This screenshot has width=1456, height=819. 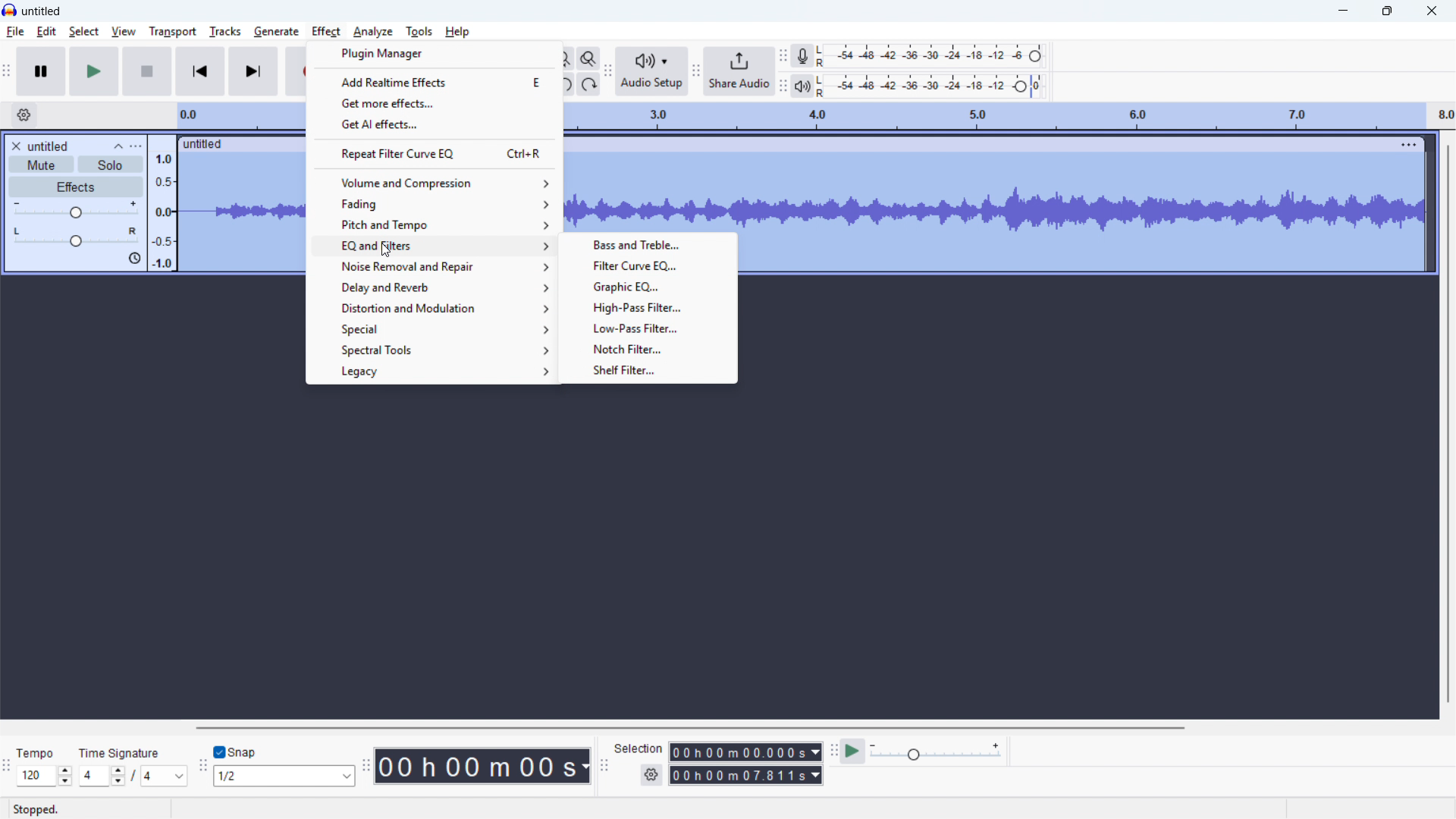 What do you see at coordinates (647, 306) in the screenshot?
I see `` at bounding box center [647, 306].